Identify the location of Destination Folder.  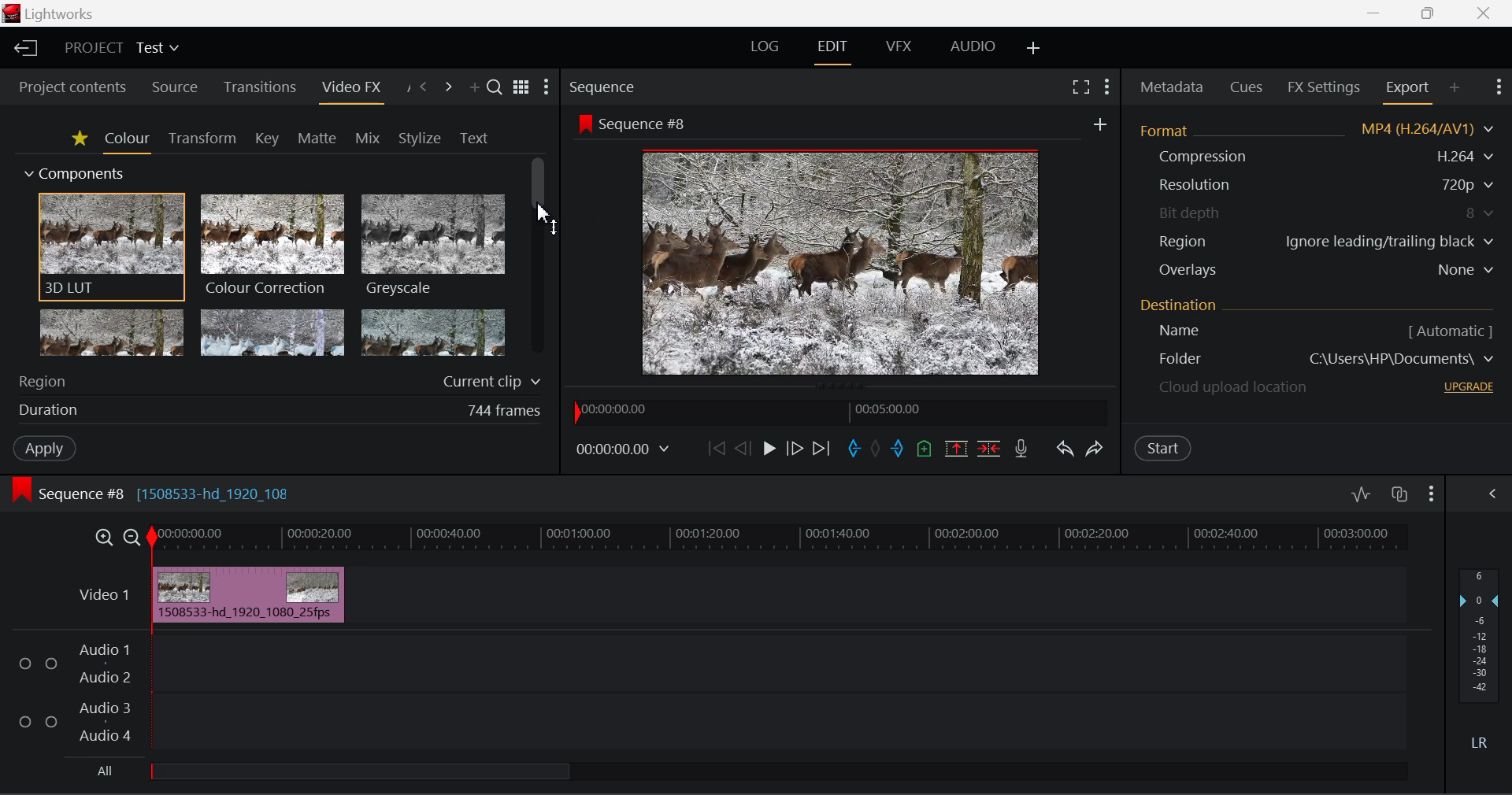
(1171, 360).